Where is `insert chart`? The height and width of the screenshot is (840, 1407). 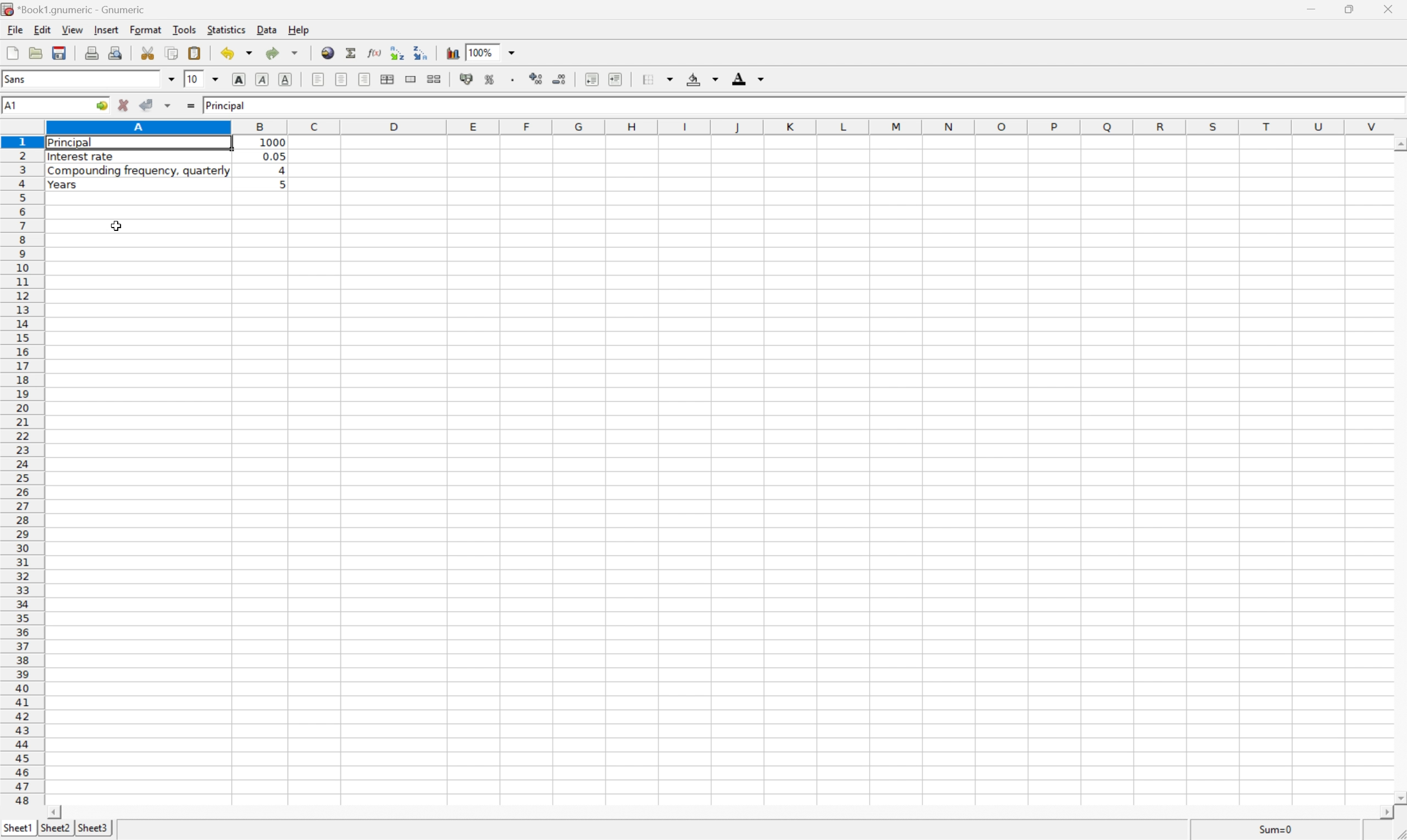 insert chart is located at coordinates (451, 52).